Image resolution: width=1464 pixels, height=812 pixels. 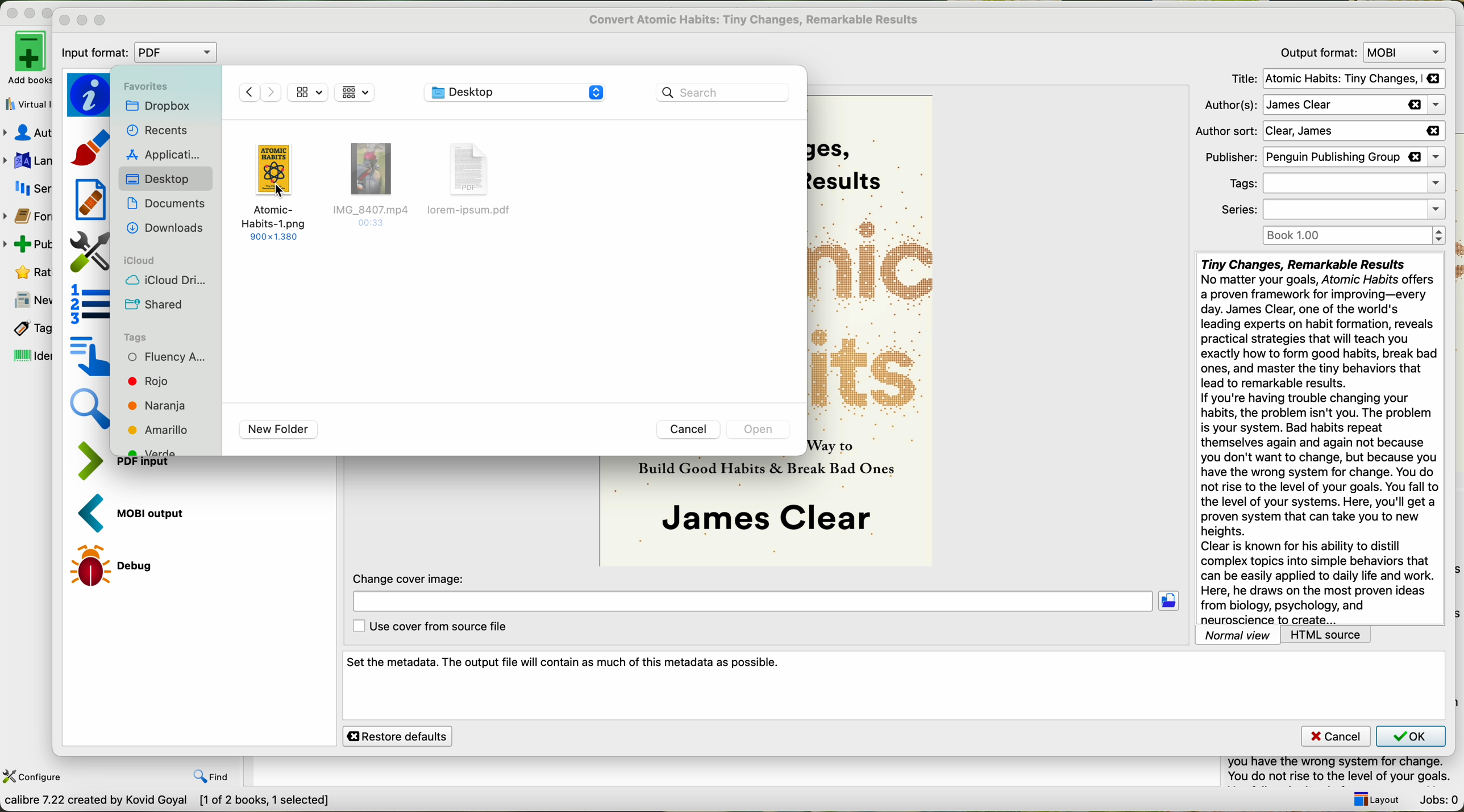 I want to click on series, so click(x=1333, y=210).